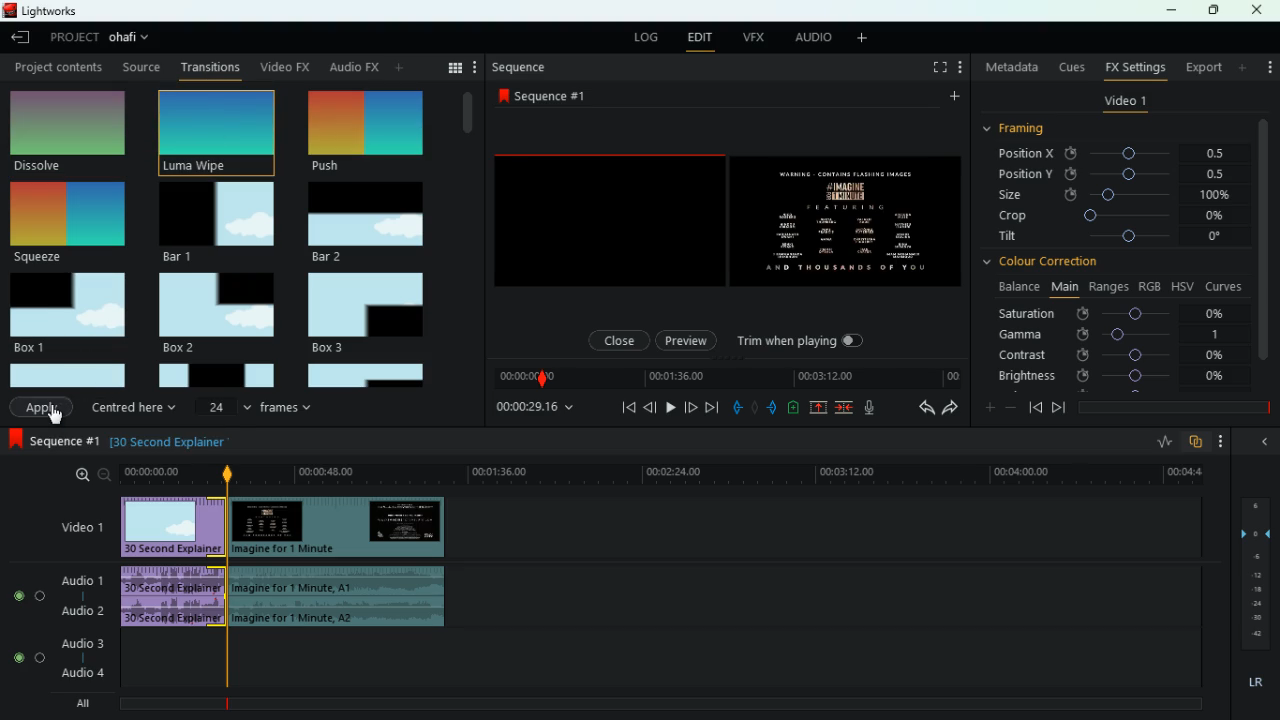 This screenshot has width=1280, height=720. What do you see at coordinates (85, 580) in the screenshot?
I see `audio 1` at bounding box center [85, 580].